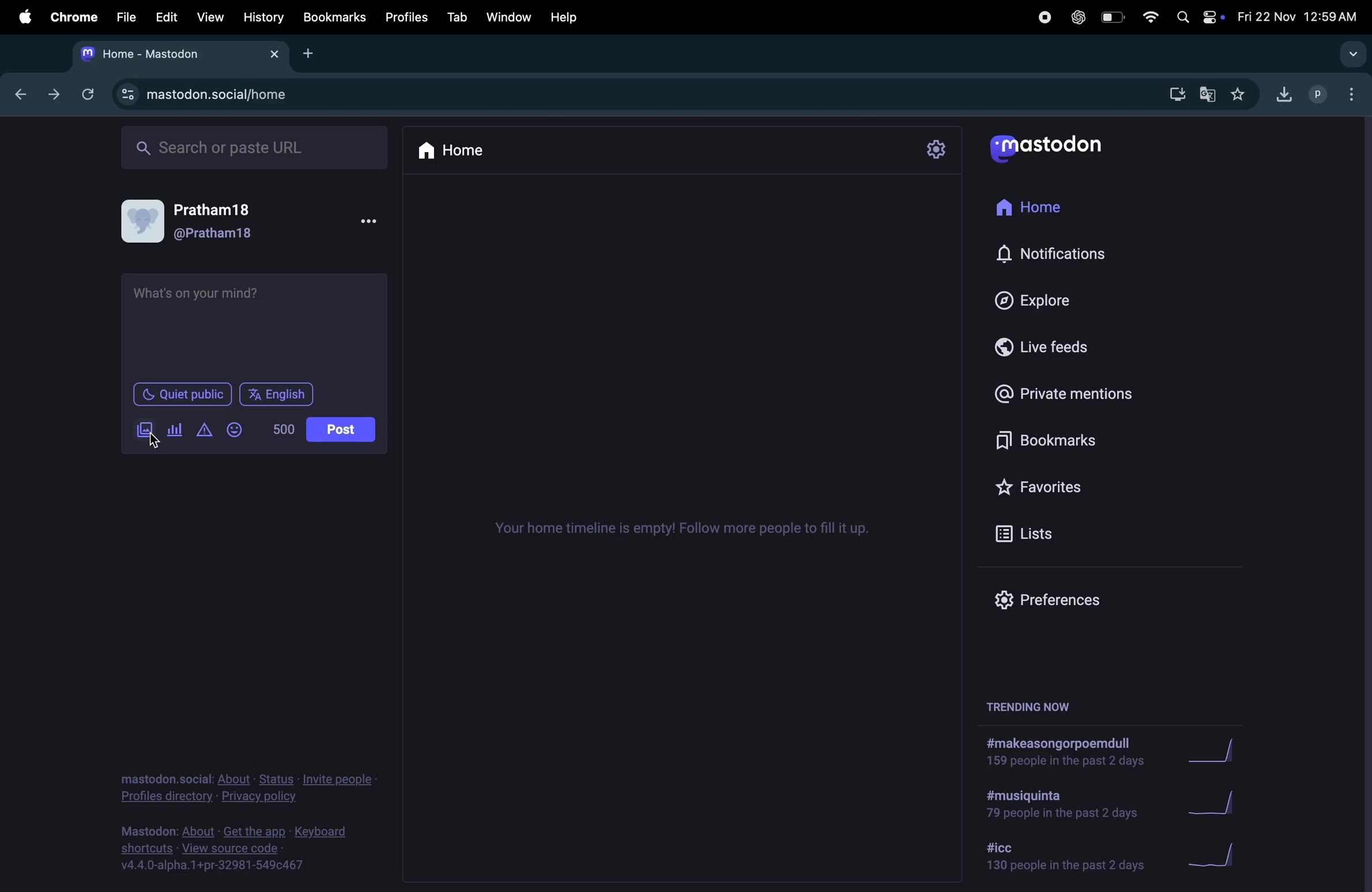 This screenshot has width=1372, height=892. What do you see at coordinates (88, 93) in the screenshot?
I see `refresh` at bounding box center [88, 93].